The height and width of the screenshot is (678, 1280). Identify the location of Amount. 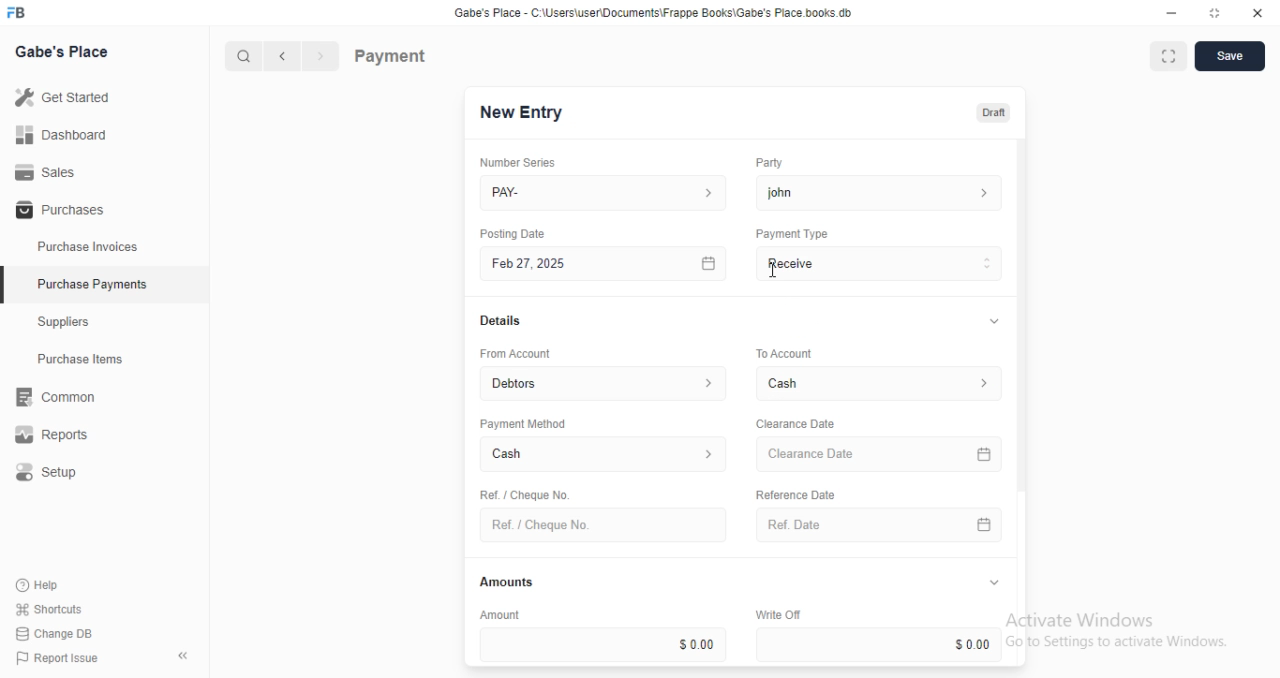
(497, 614).